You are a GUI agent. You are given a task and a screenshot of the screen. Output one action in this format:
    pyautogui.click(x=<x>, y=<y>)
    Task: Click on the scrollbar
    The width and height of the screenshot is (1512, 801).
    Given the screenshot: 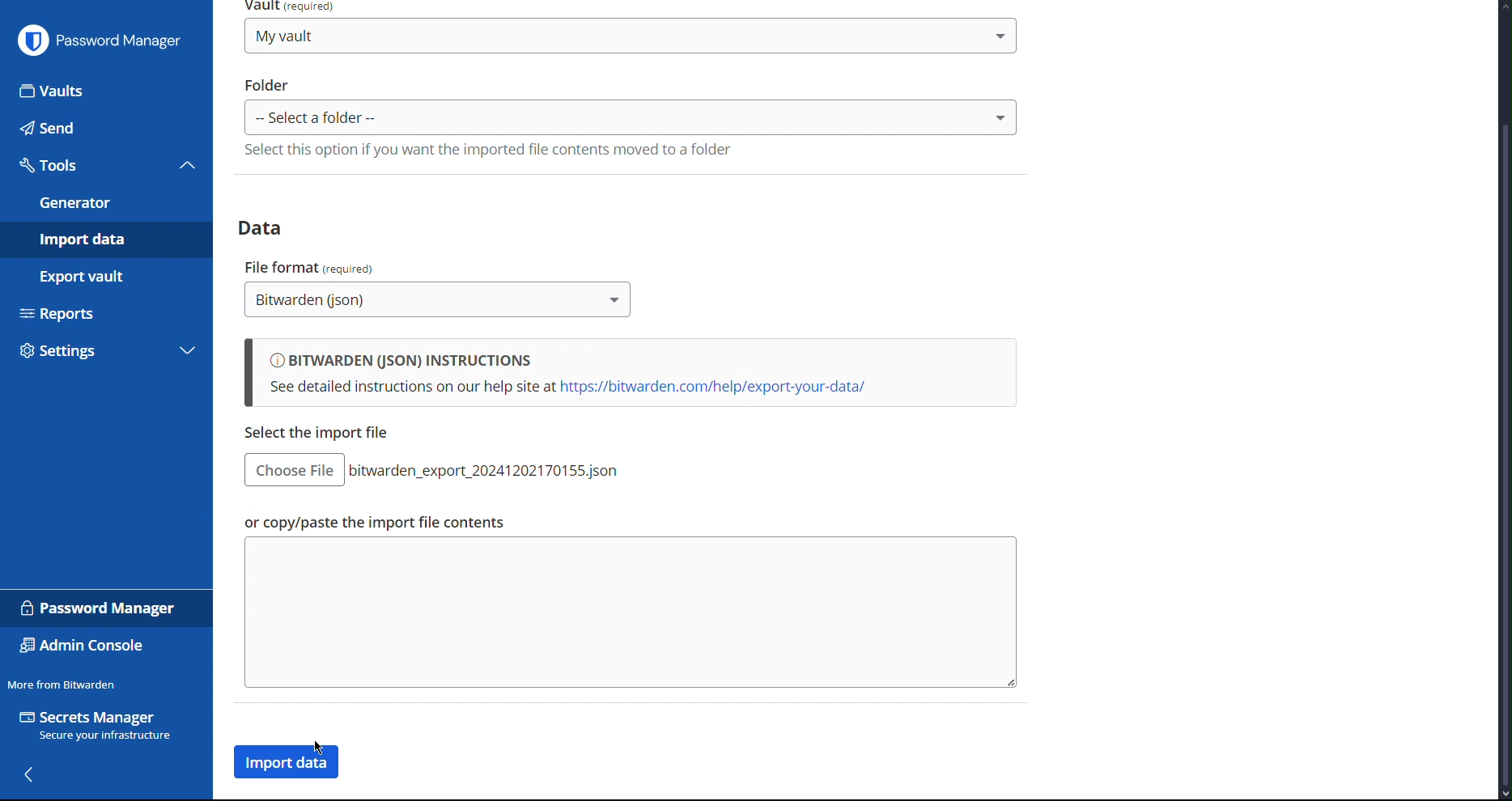 What is the action you would take?
    pyautogui.click(x=1503, y=454)
    